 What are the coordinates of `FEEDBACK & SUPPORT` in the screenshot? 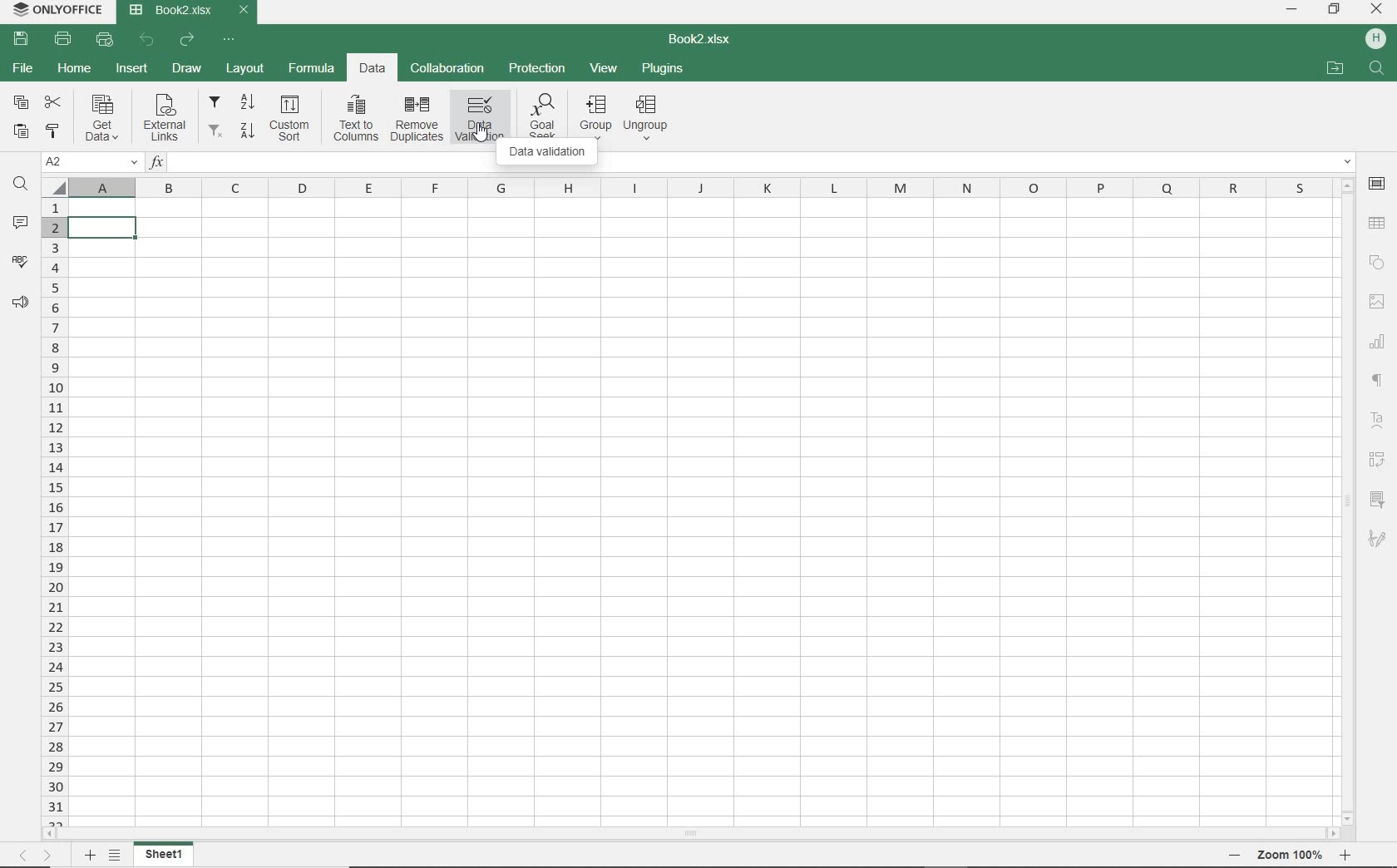 It's located at (21, 303).